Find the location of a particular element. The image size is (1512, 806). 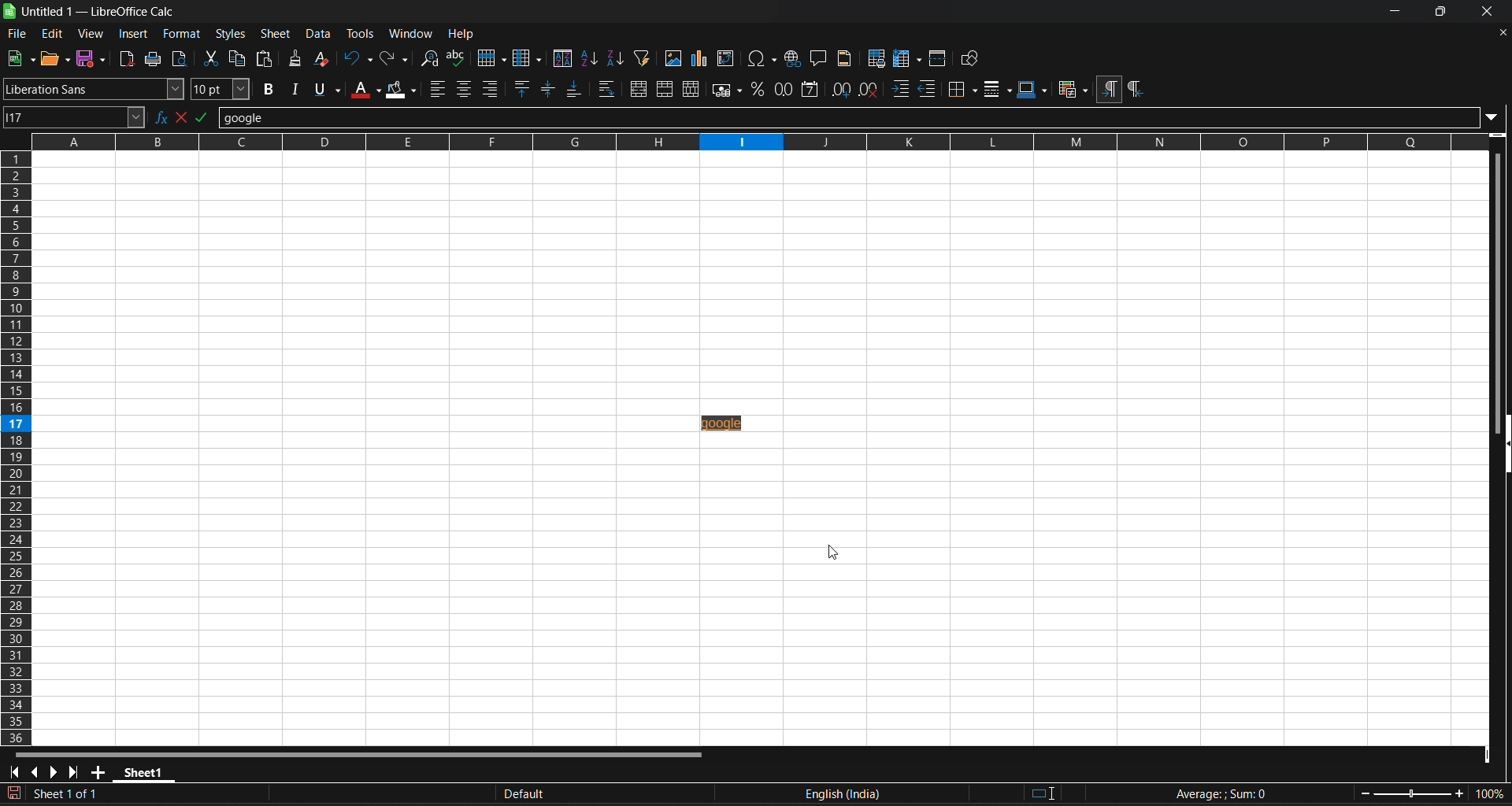

column is located at coordinates (529, 57).